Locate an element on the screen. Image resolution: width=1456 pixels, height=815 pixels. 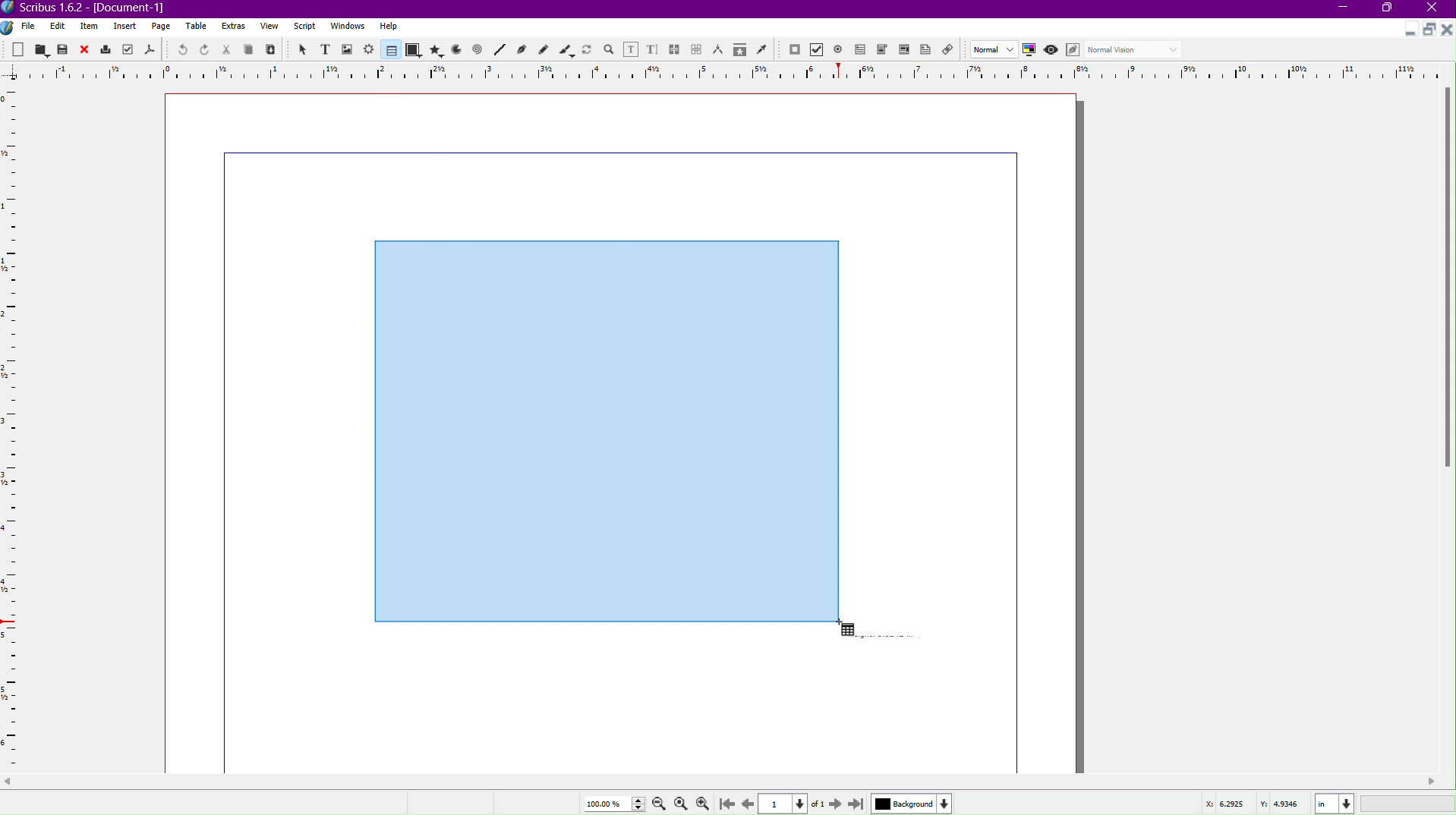
Close is located at coordinates (1447, 30).